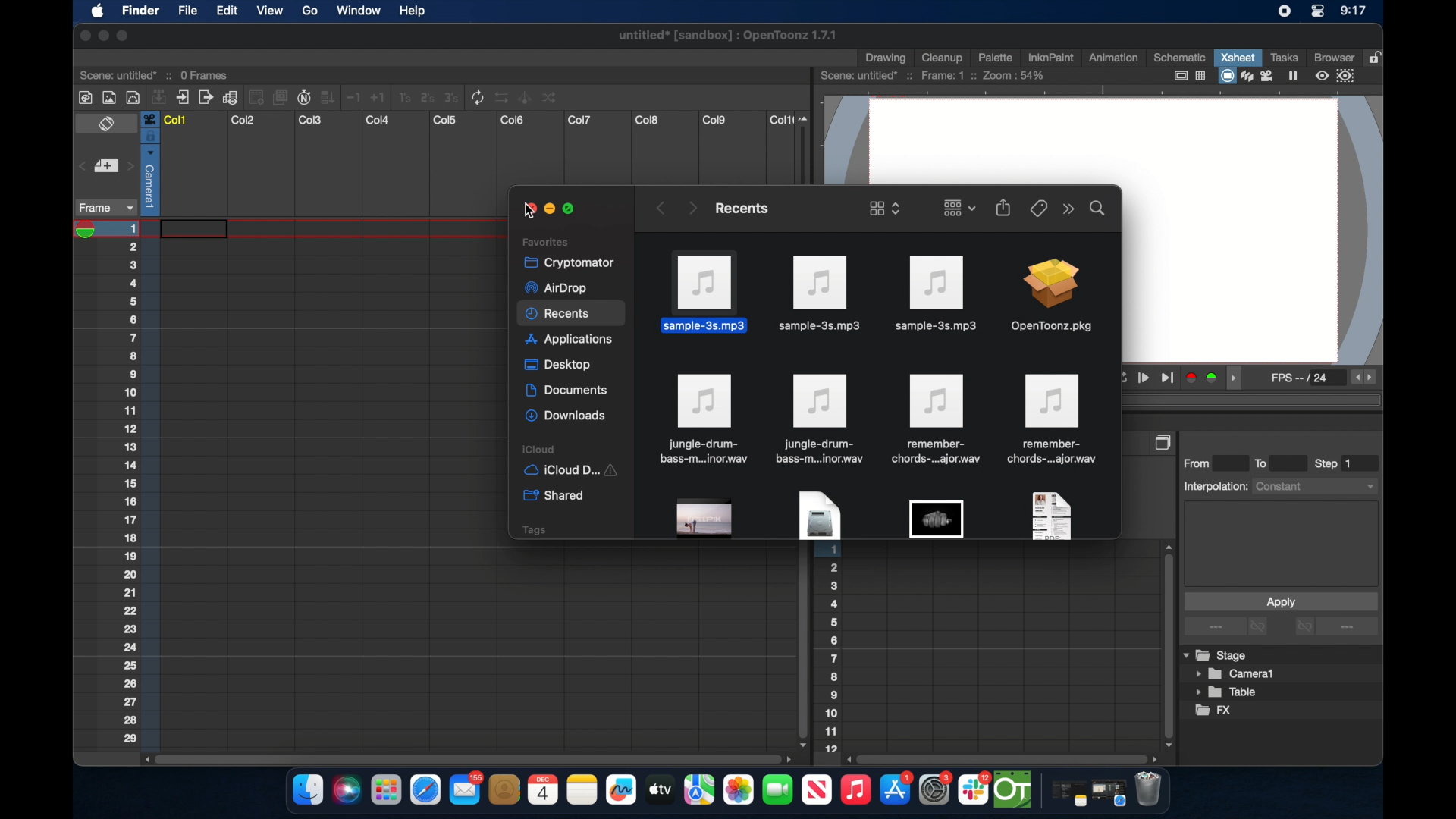  I want to click on edit, so click(226, 11).